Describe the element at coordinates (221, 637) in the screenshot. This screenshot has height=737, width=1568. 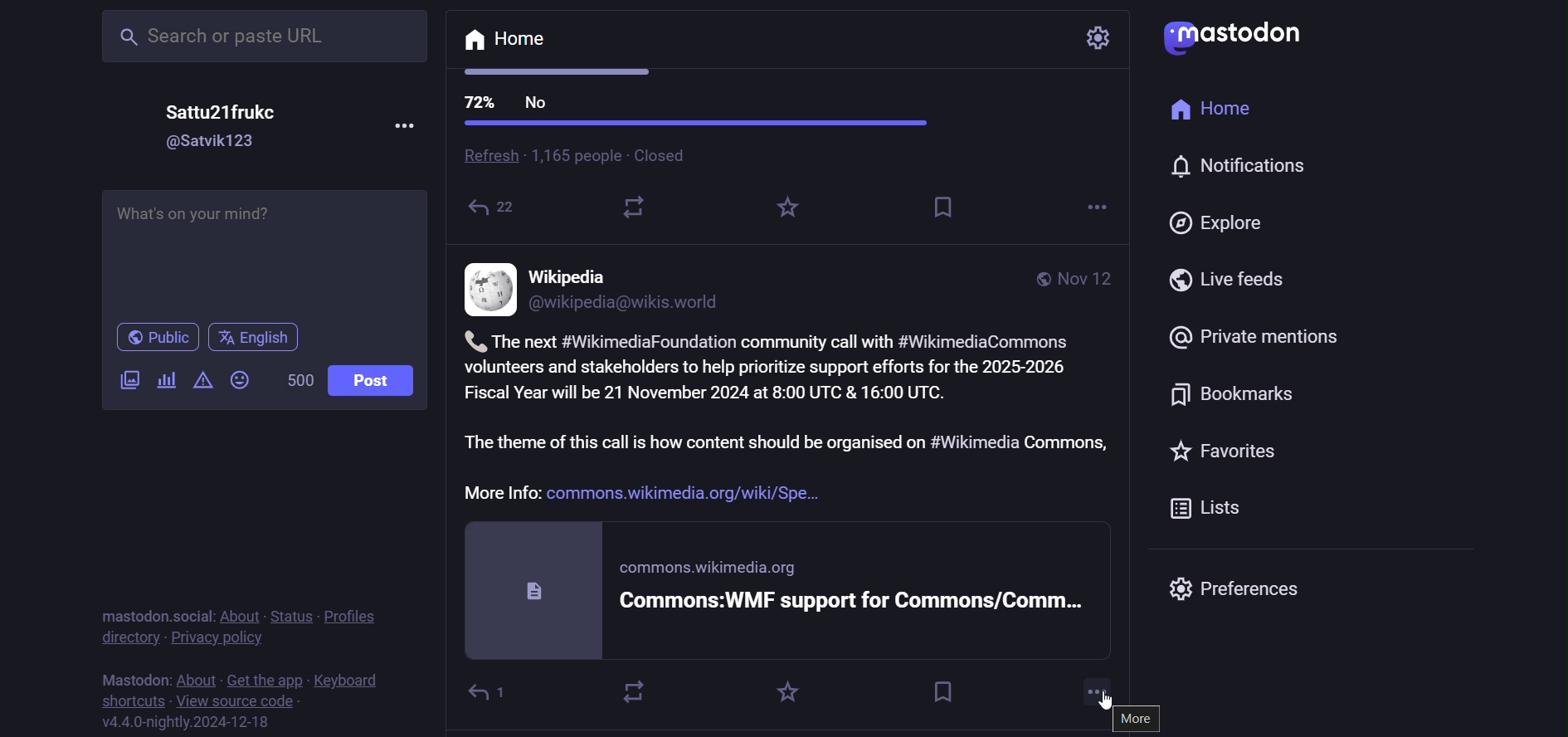
I see `privacy policy` at that location.